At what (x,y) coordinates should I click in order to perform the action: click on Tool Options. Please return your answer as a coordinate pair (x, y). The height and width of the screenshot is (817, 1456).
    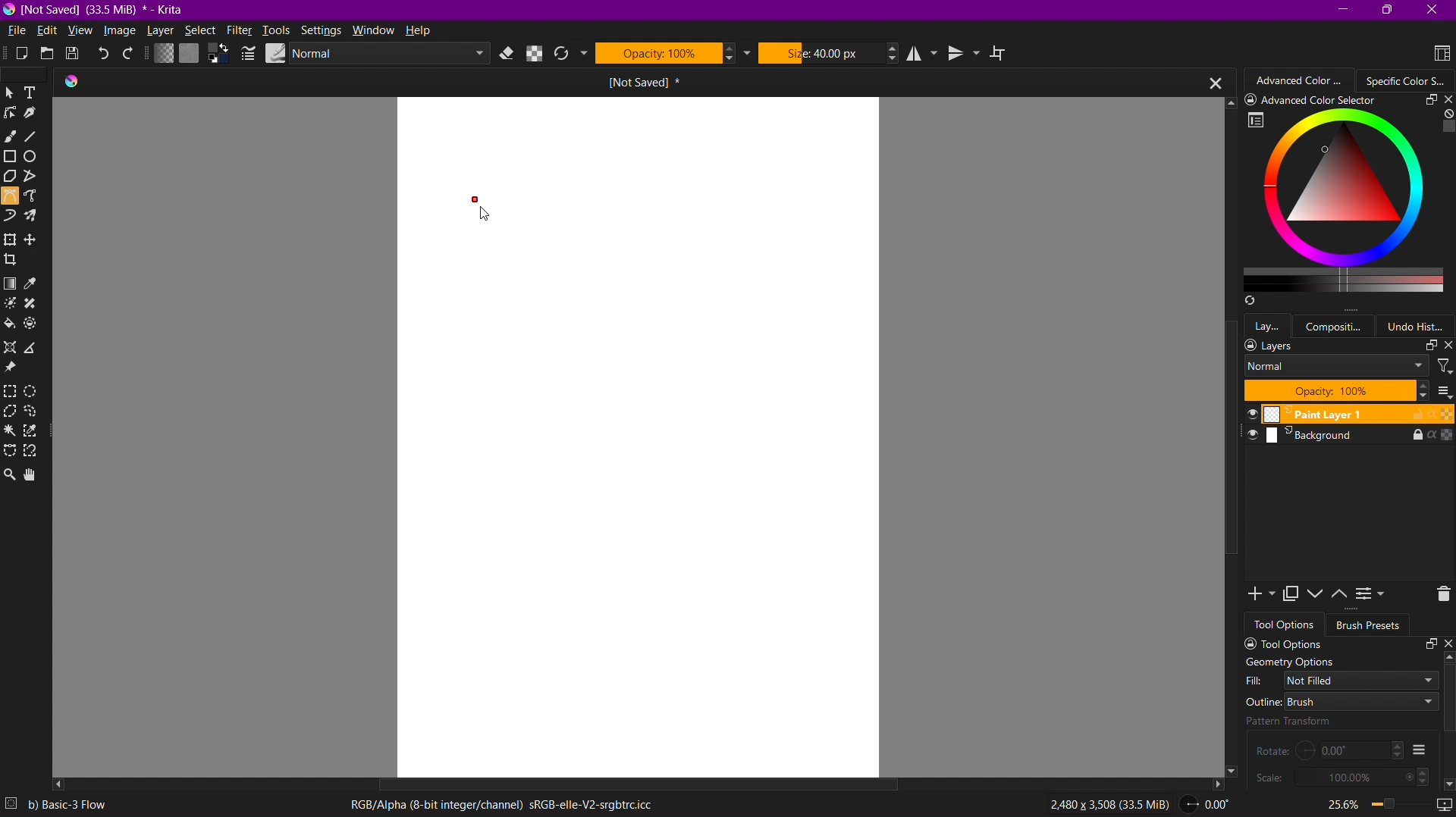
    Looking at the image, I should click on (1344, 643).